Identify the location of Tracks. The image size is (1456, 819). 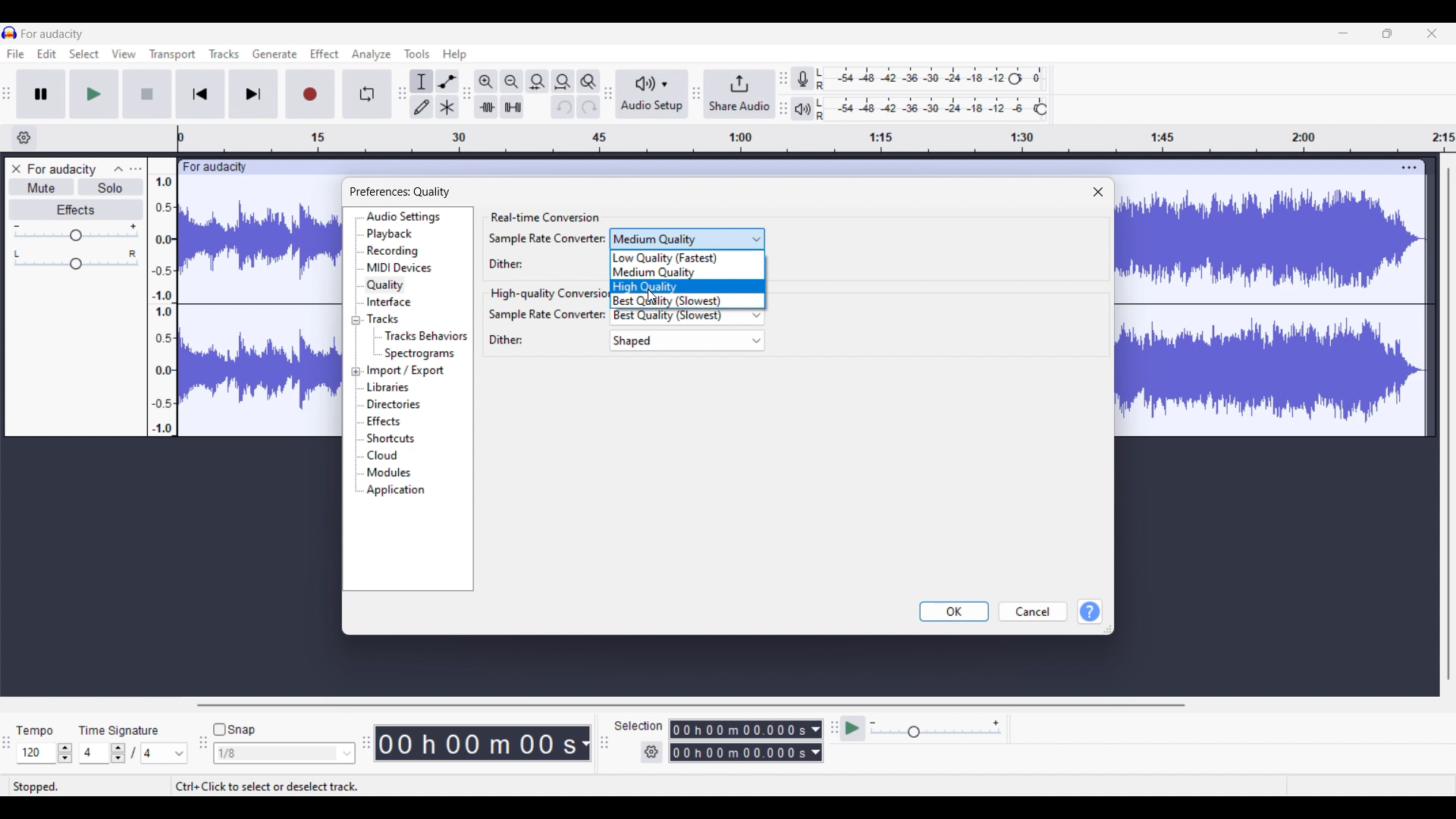
(384, 318).